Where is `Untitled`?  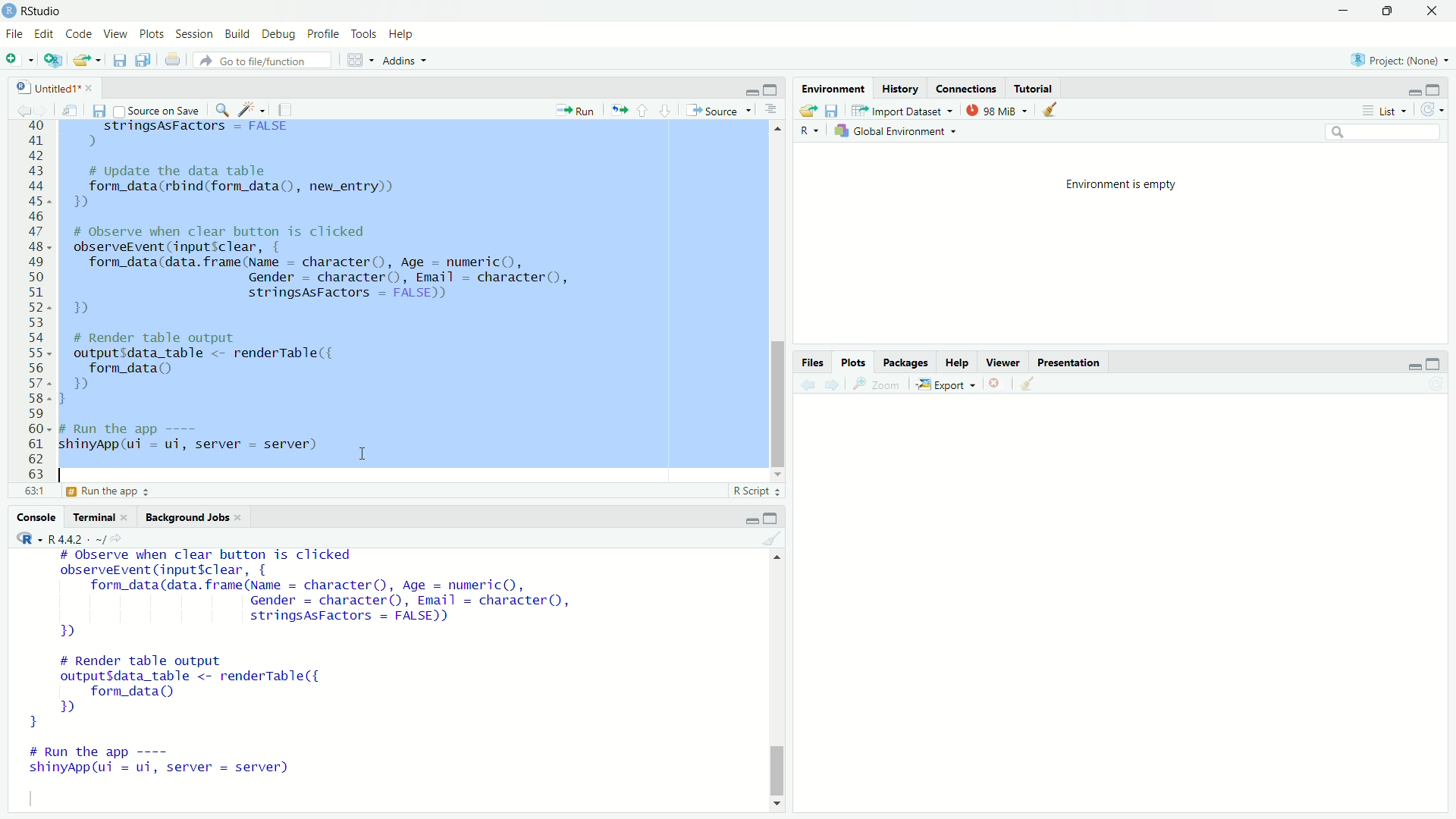
Untitled is located at coordinates (40, 85).